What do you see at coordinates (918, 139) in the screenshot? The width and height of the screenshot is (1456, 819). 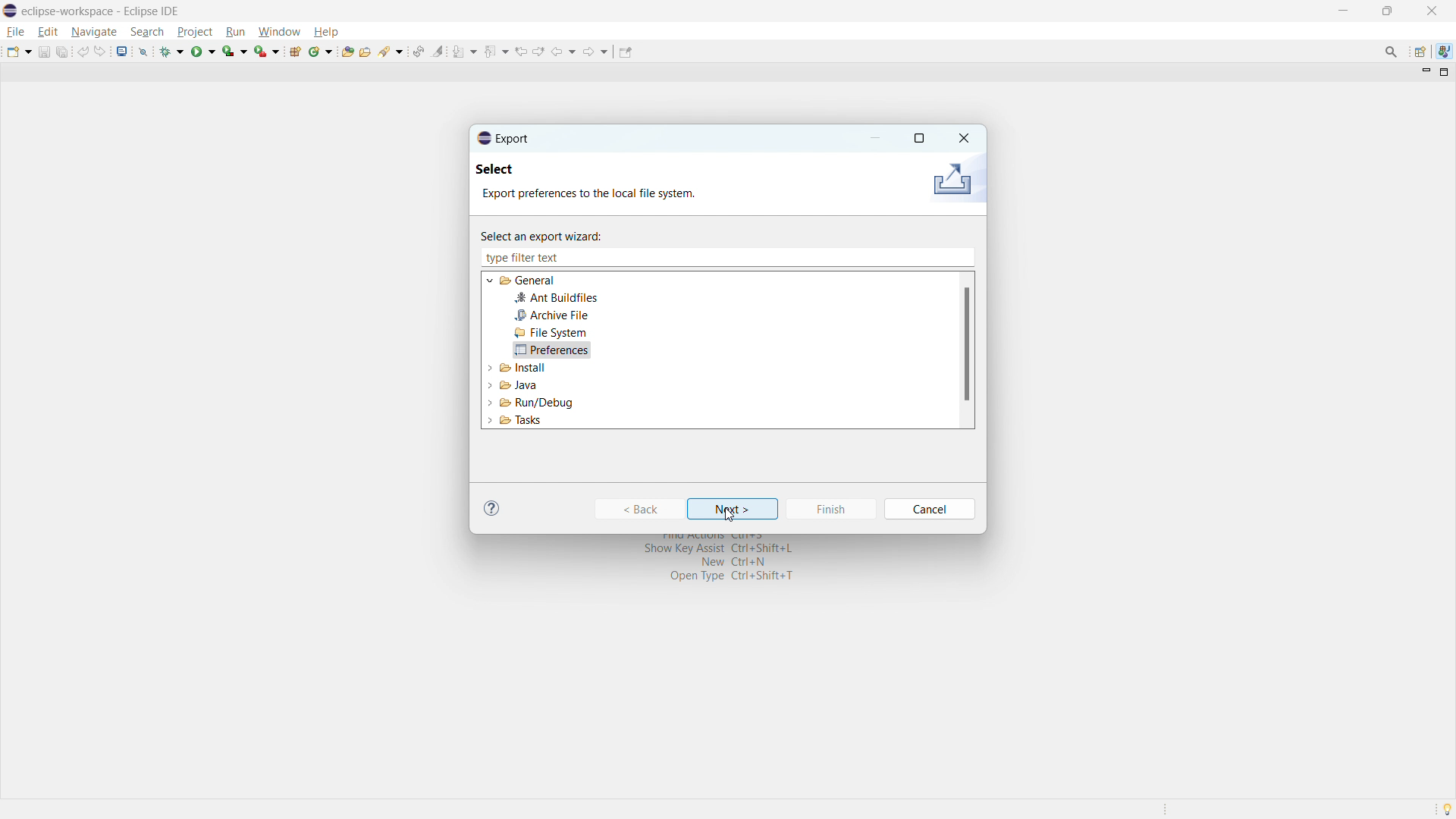 I see `maximize dialogbox` at bounding box center [918, 139].